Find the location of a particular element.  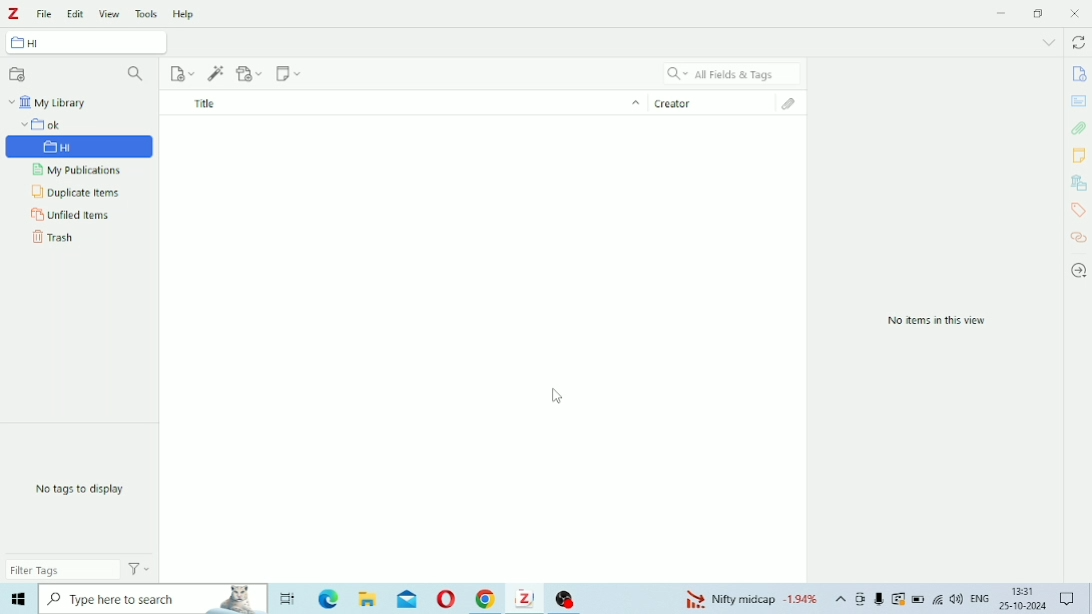

Creator is located at coordinates (713, 101).